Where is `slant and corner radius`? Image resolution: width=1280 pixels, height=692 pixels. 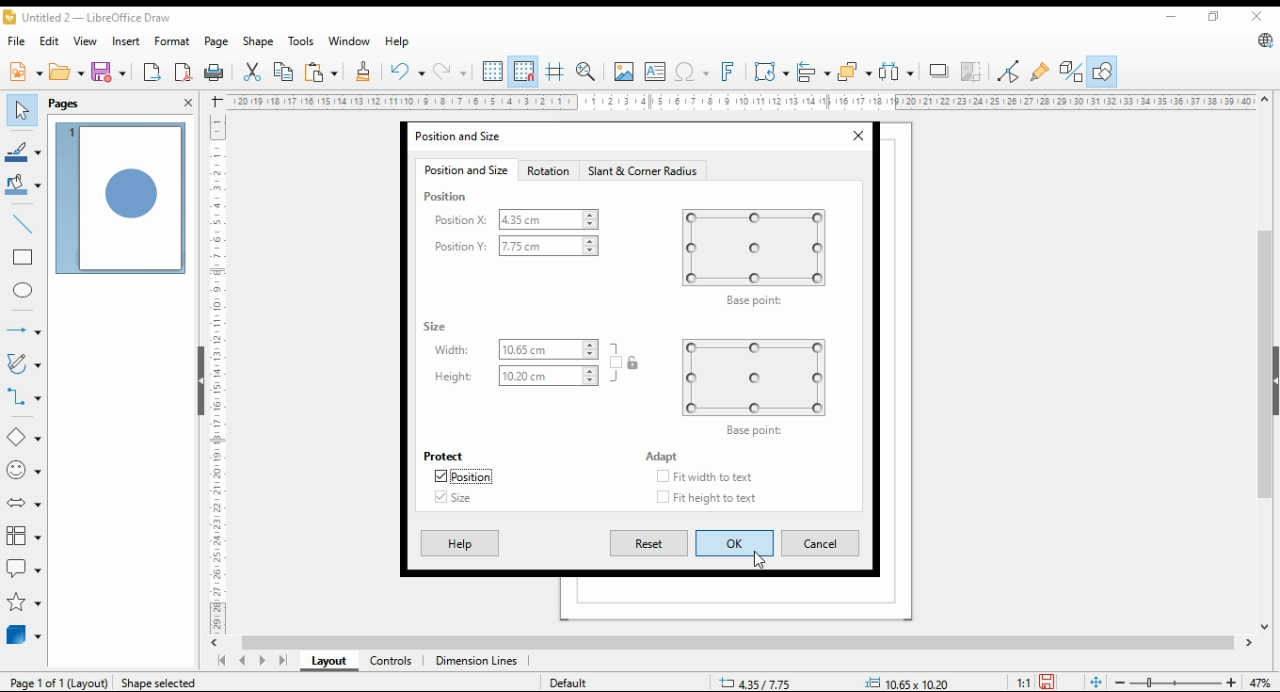
slant and corner radius is located at coordinates (643, 171).